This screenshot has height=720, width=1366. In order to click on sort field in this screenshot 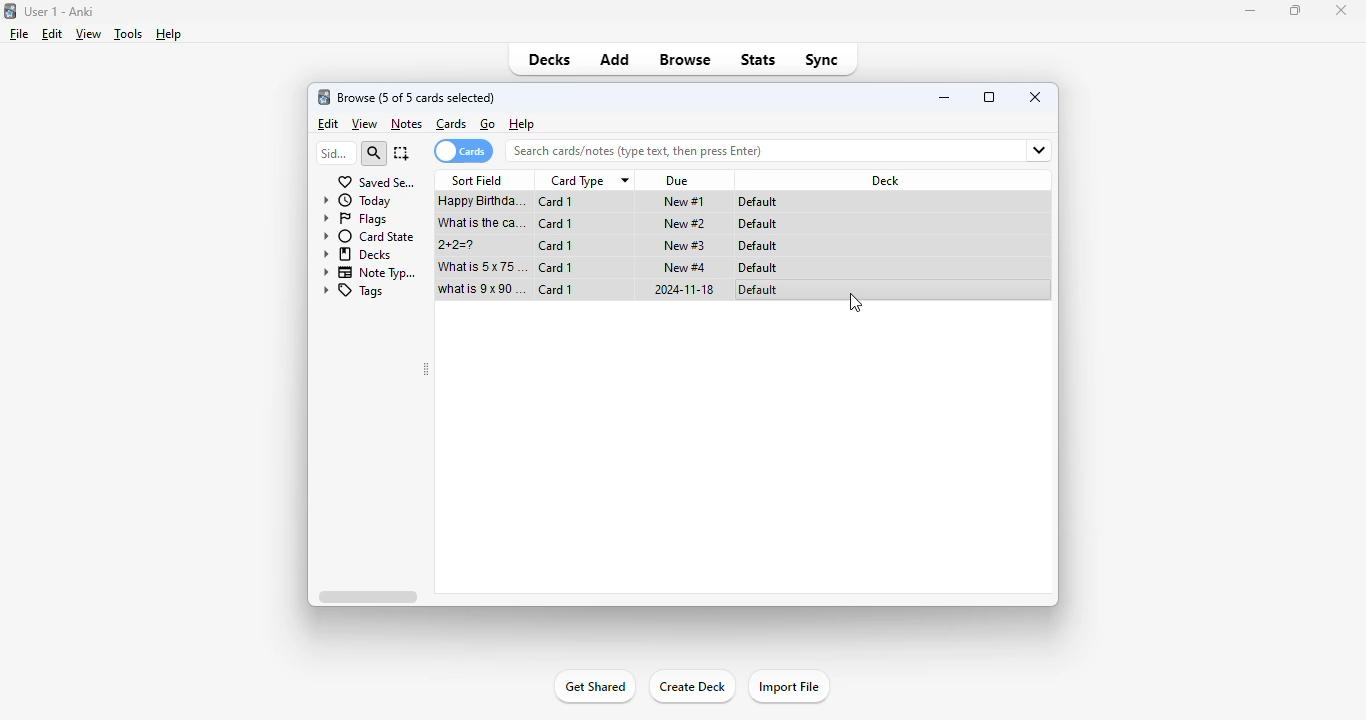, I will do `click(477, 180)`.